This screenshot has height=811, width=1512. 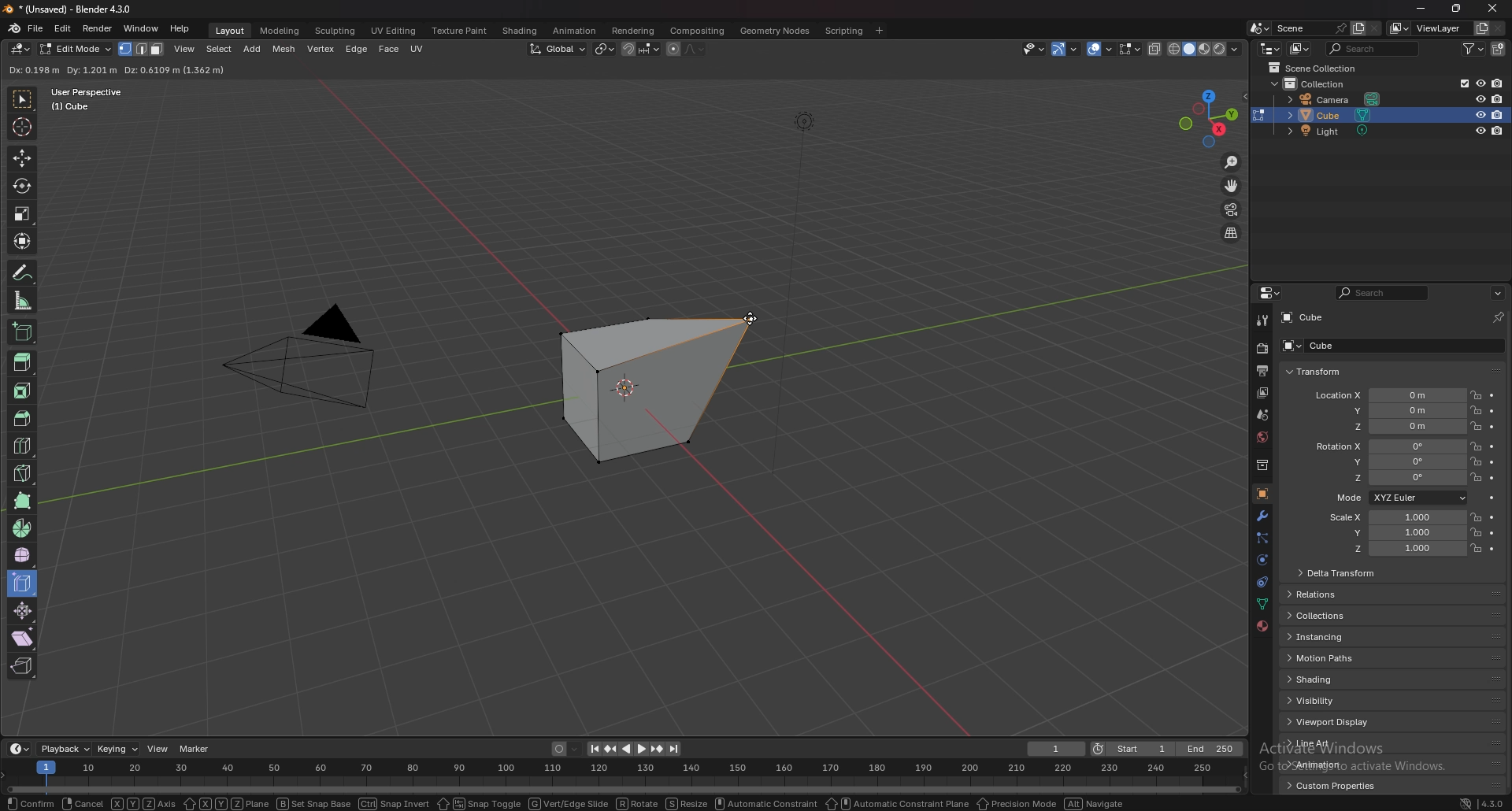 What do you see at coordinates (321, 50) in the screenshot?
I see `vertex` at bounding box center [321, 50].